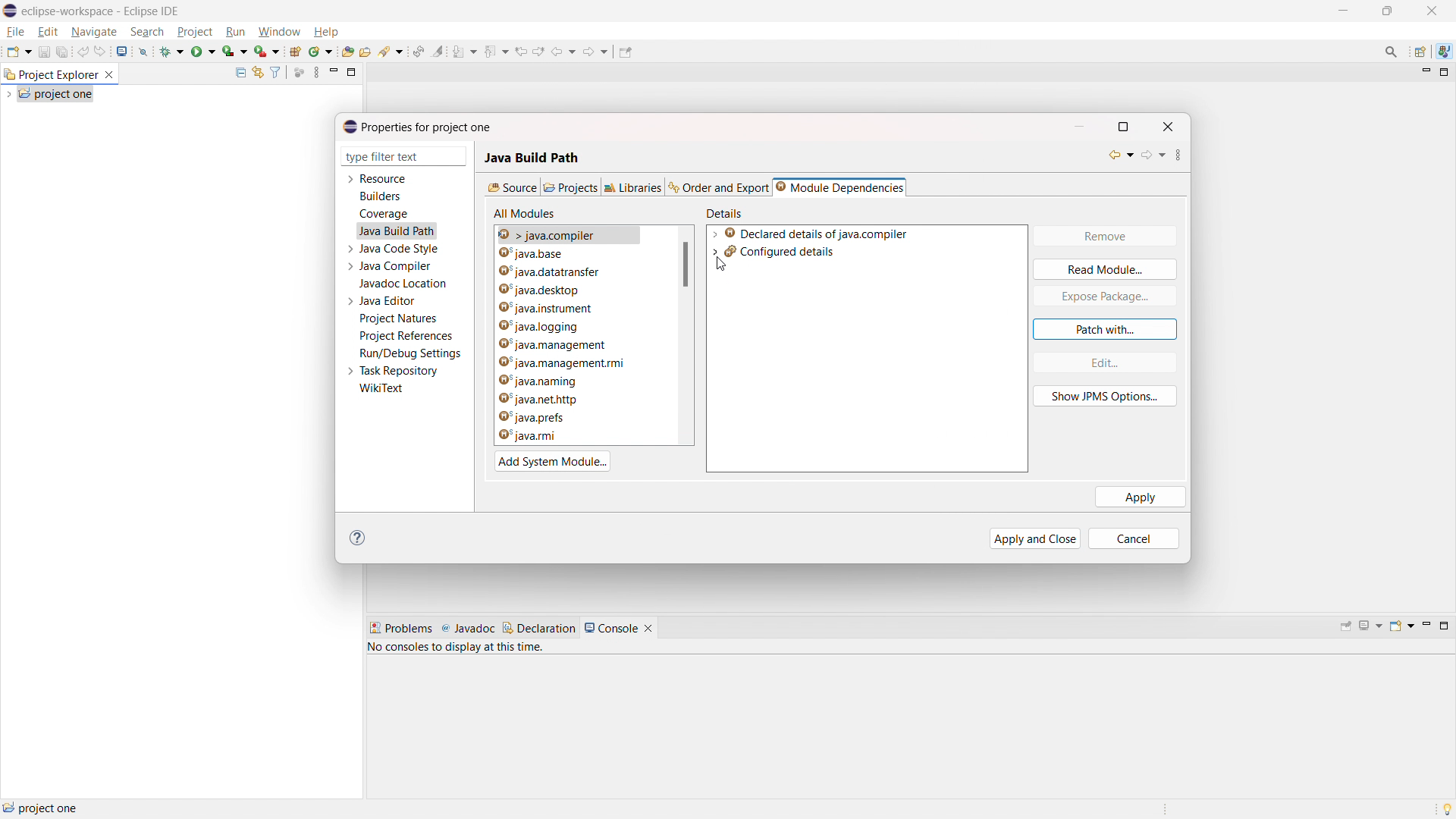  What do you see at coordinates (1154, 157) in the screenshot?
I see `forward` at bounding box center [1154, 157].